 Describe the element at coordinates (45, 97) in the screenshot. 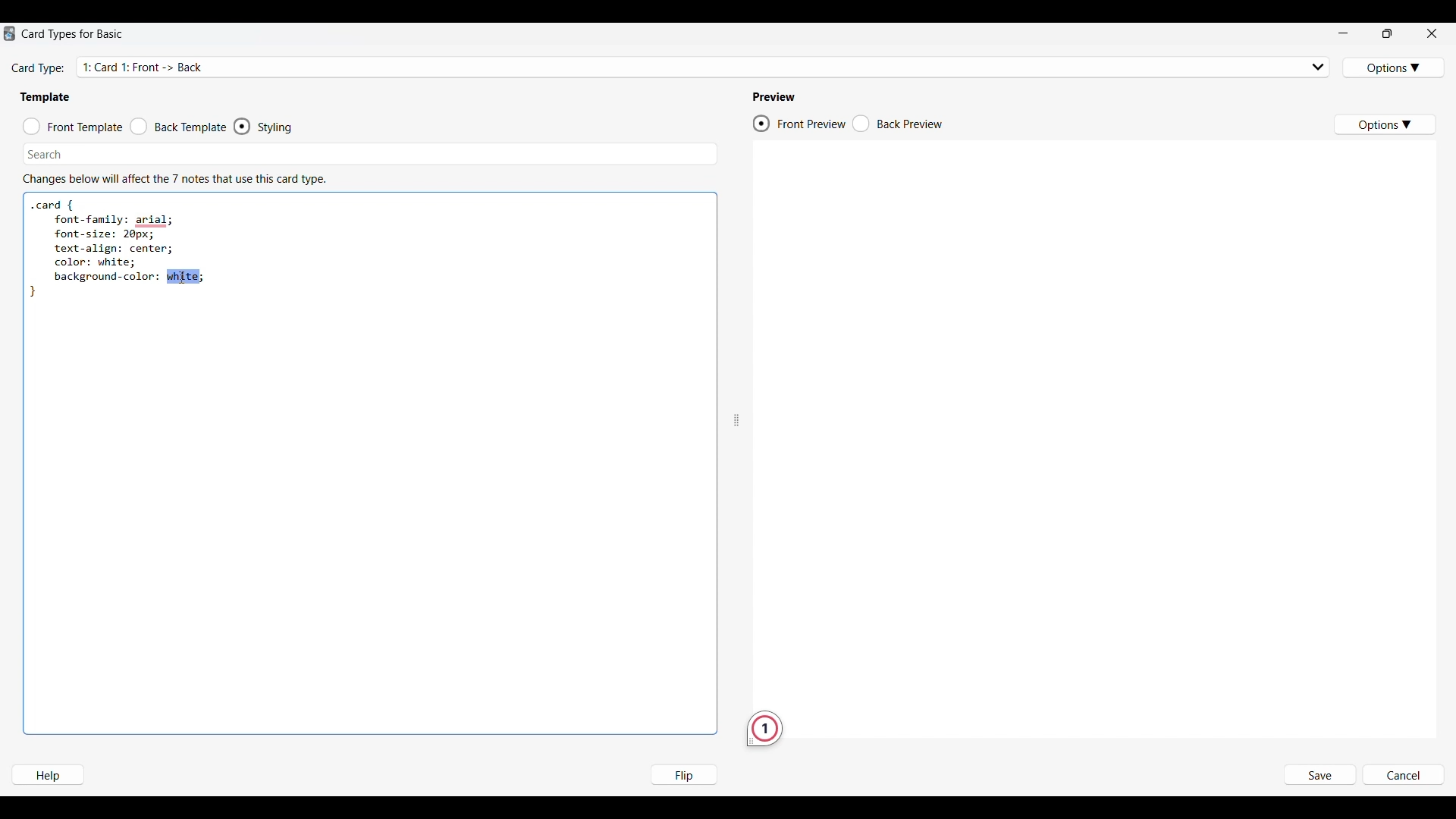

I see `Template section` at that location.